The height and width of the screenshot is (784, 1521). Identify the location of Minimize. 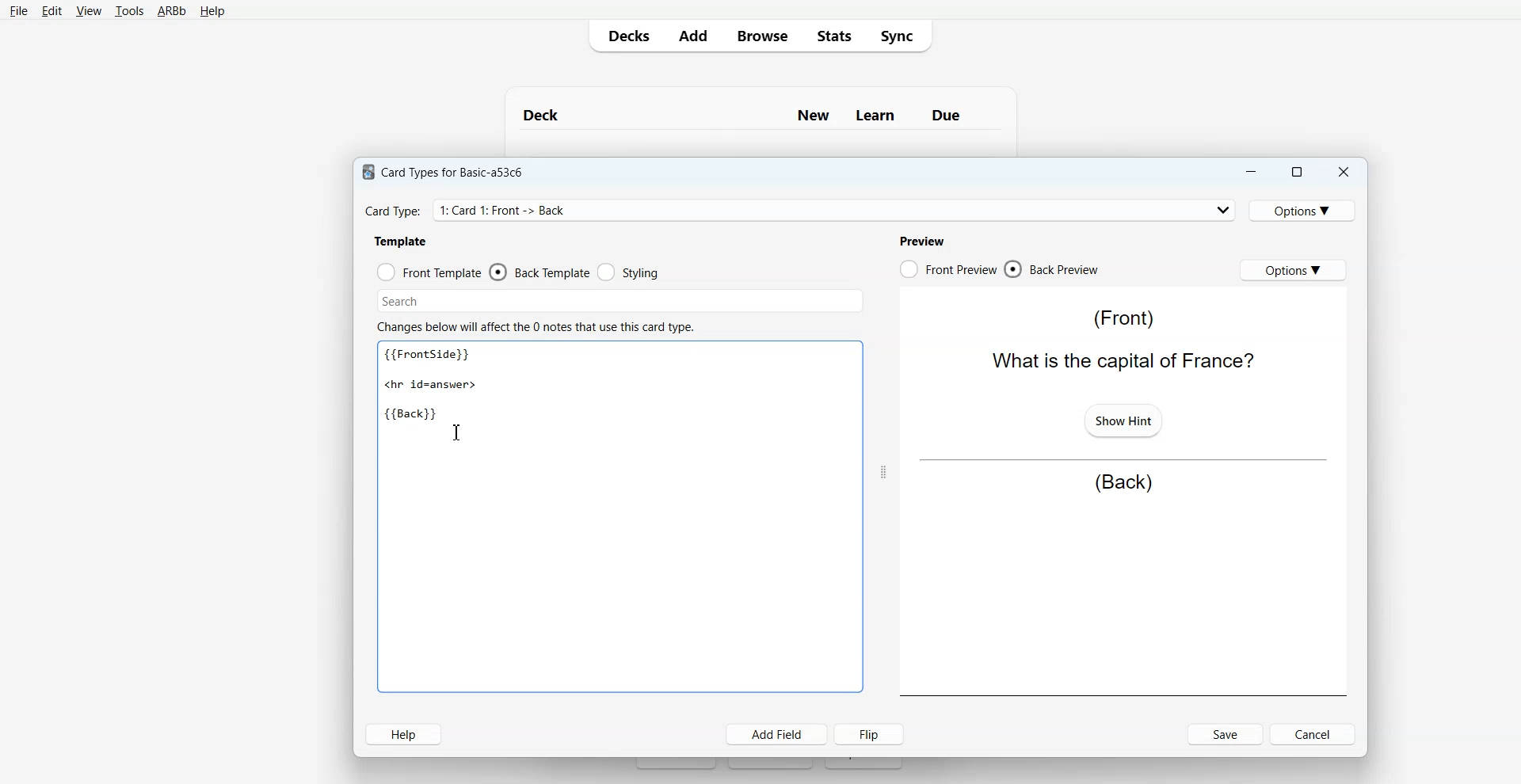
(1249, 172).